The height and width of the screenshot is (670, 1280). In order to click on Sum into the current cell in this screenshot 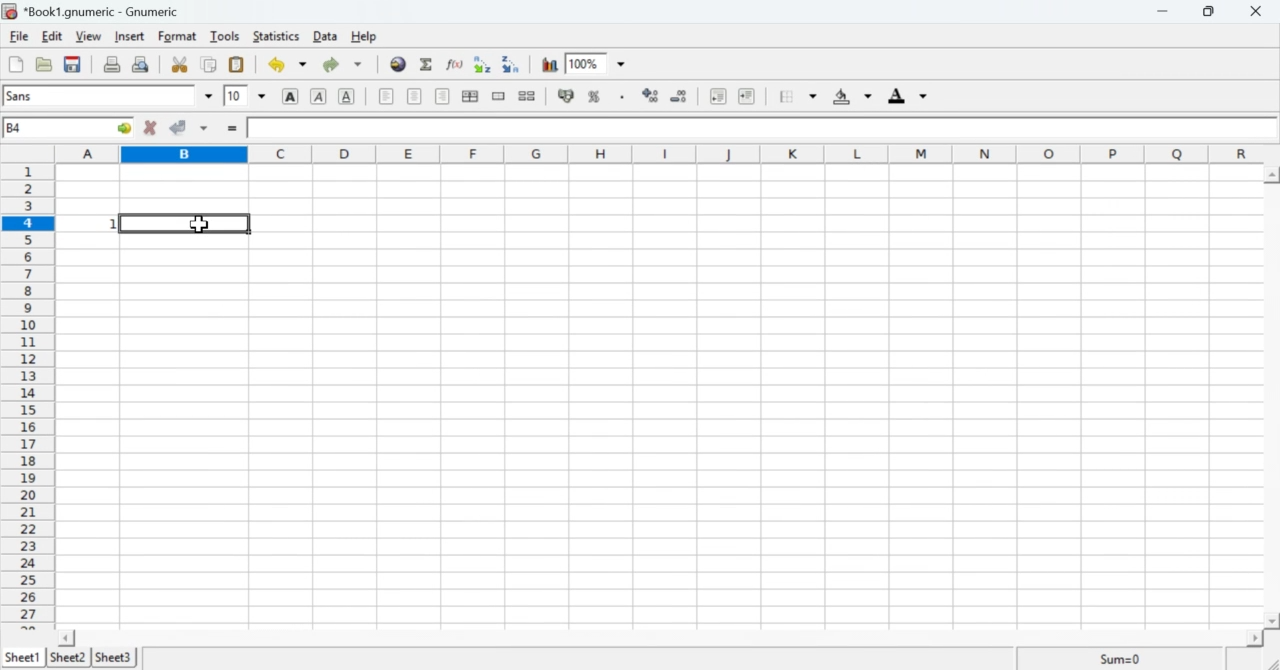, I will do `click(429, 63)`.